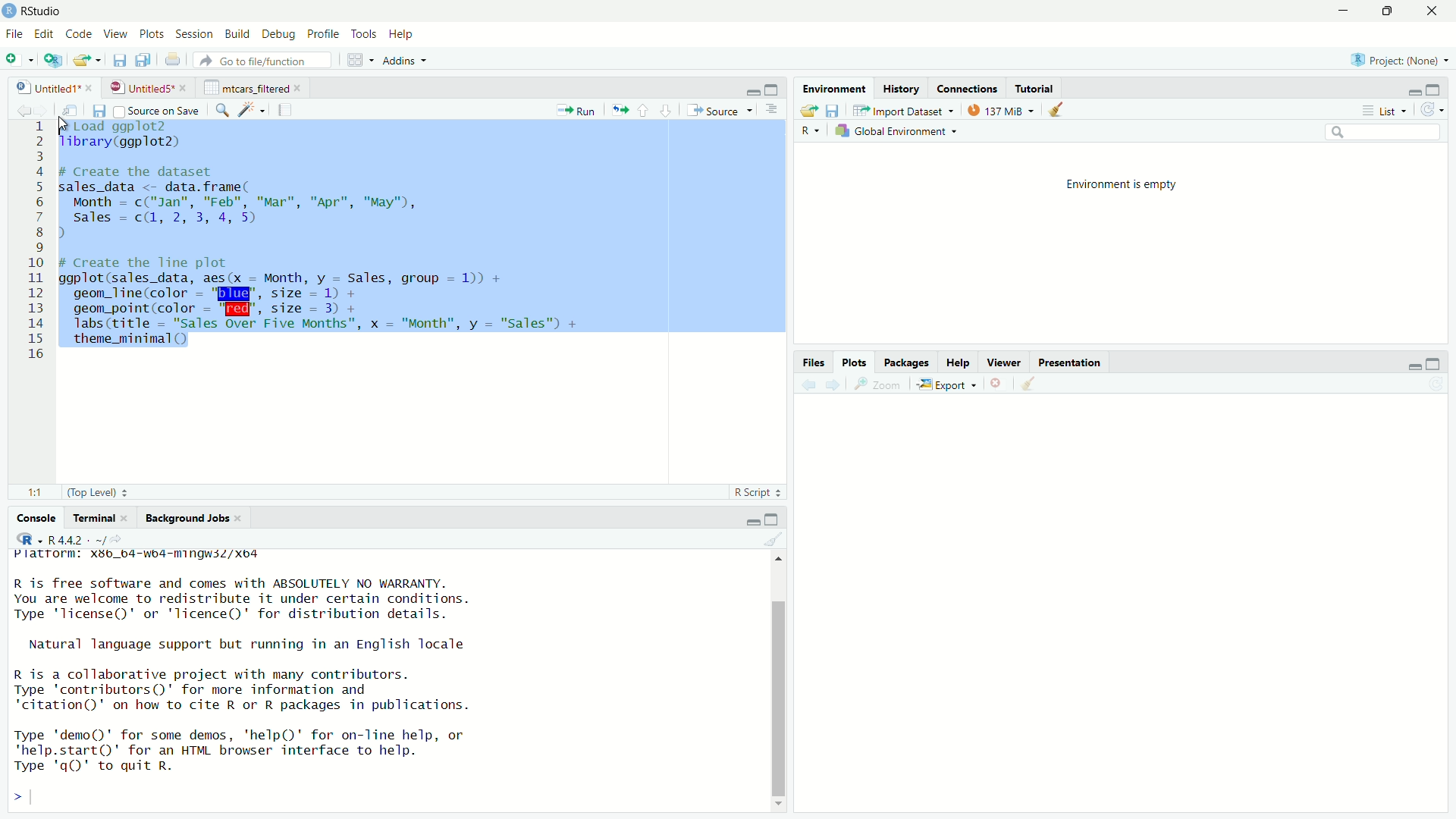  What do you see at coordinates (808, 111) in the screenshot?
I see `open file` at bounding box center [808, 111].